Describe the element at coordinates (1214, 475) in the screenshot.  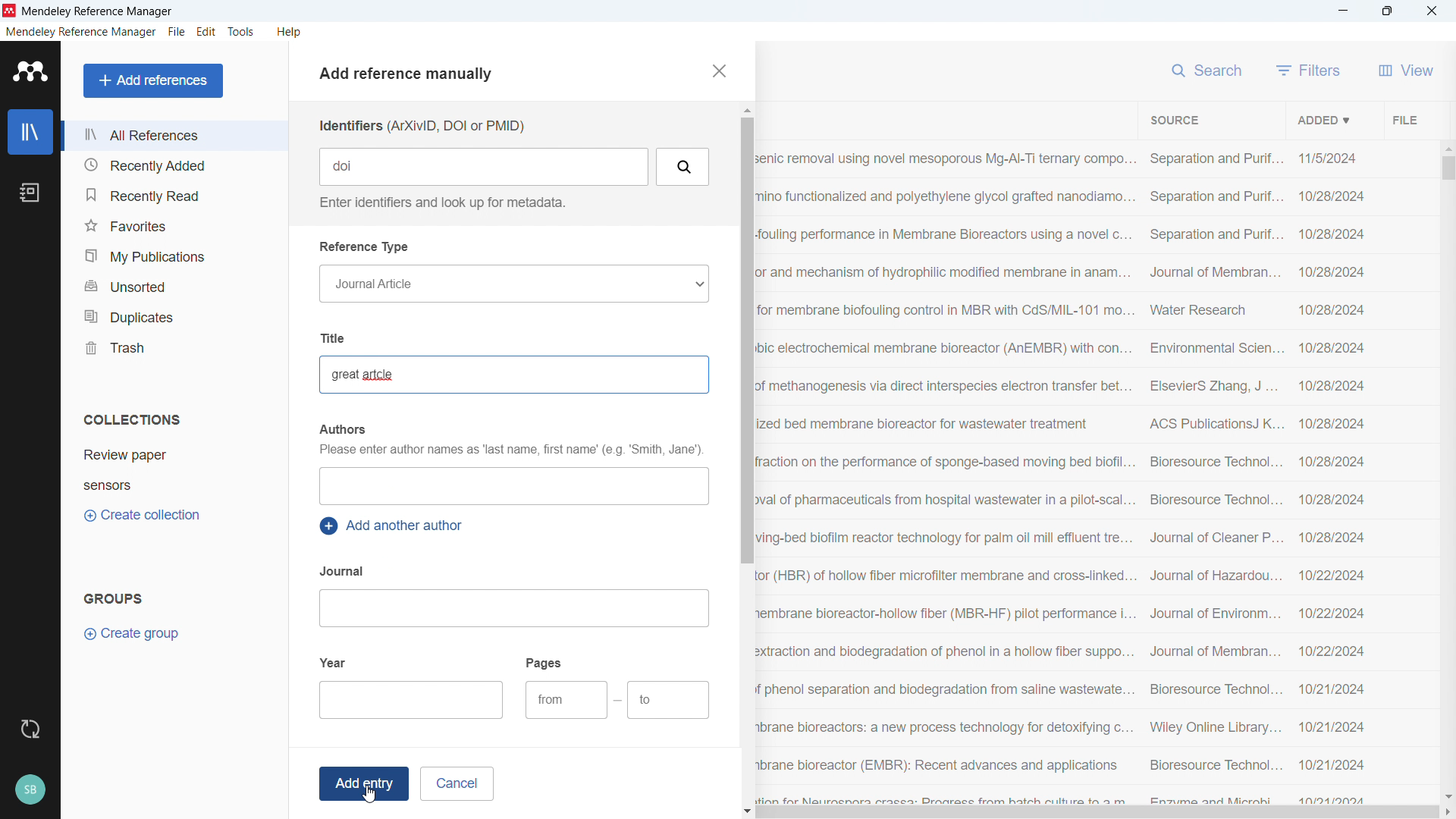
I see `Source of individual entries ` at that location.